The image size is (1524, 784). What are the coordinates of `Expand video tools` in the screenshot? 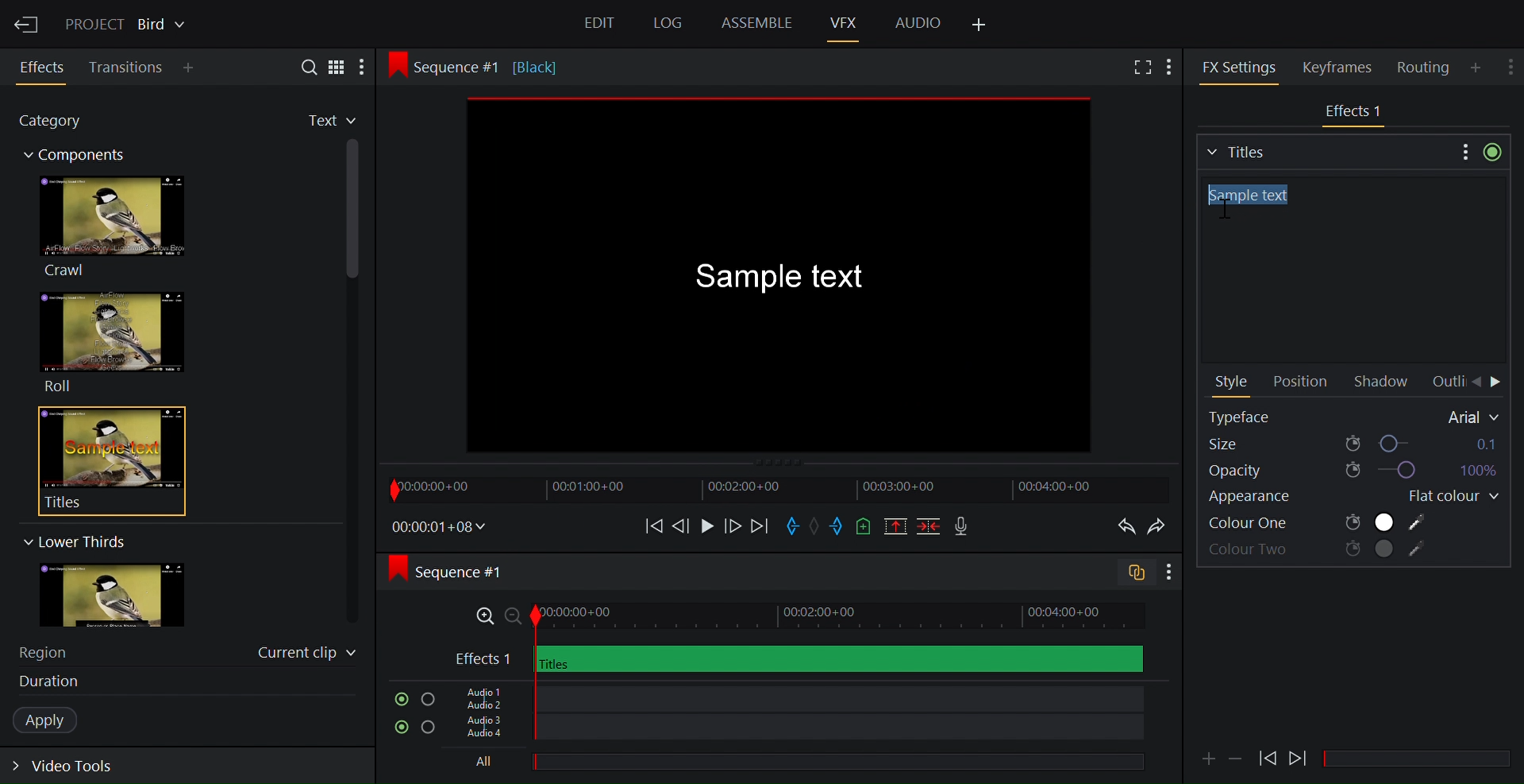 It's located at (73, 769).